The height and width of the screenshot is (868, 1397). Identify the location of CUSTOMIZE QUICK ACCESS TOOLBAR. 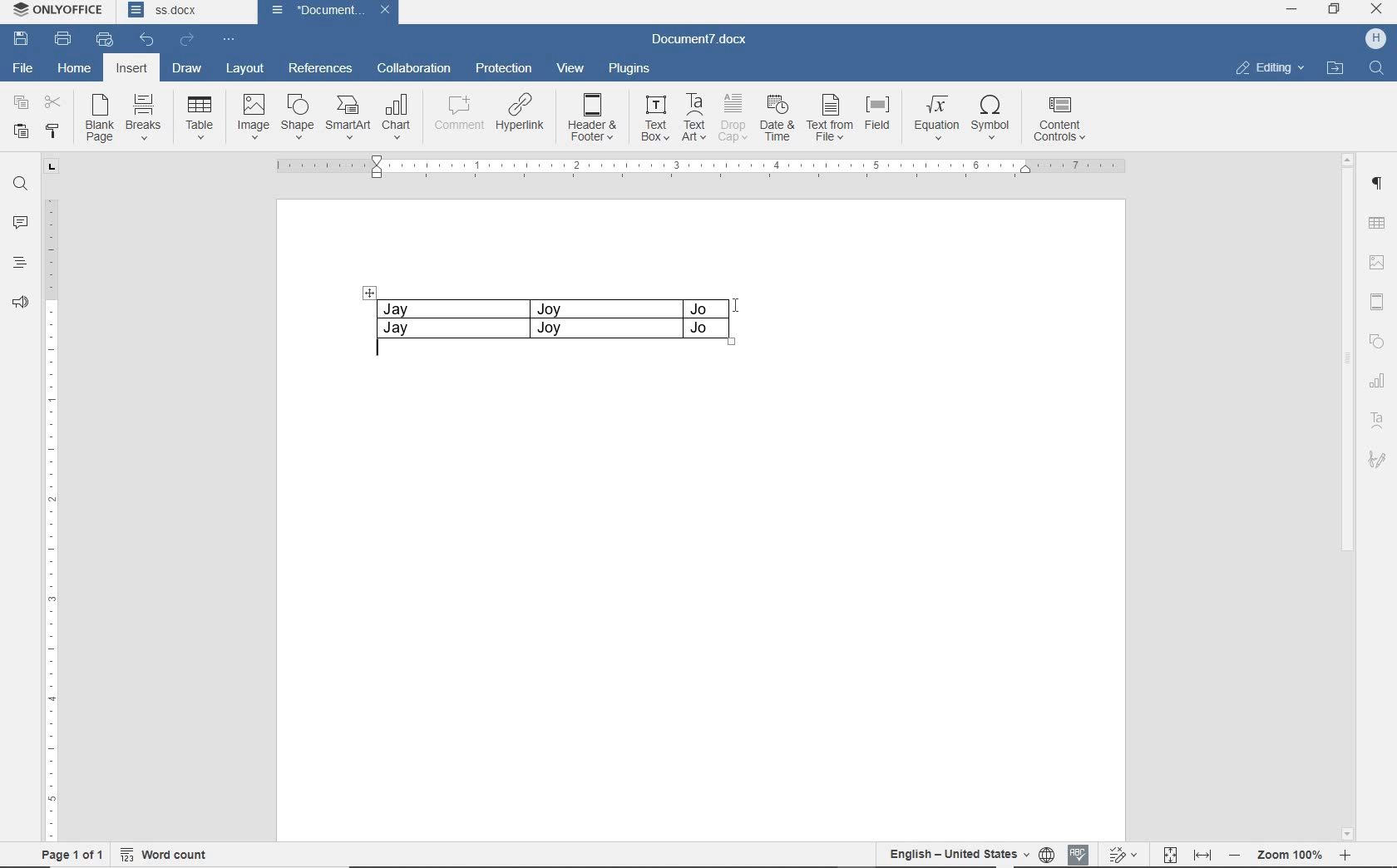
(225, 40).